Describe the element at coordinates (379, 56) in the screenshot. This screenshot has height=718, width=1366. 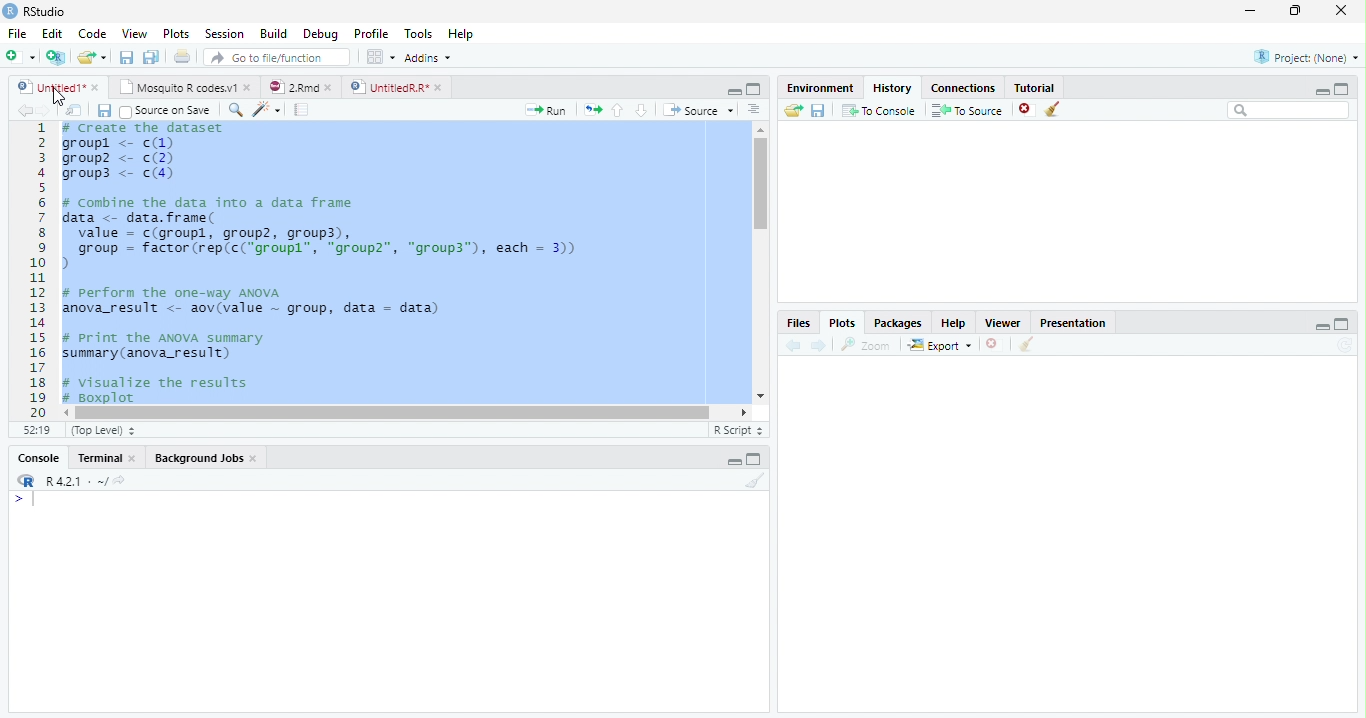
I see `Workspace pane` at that location.